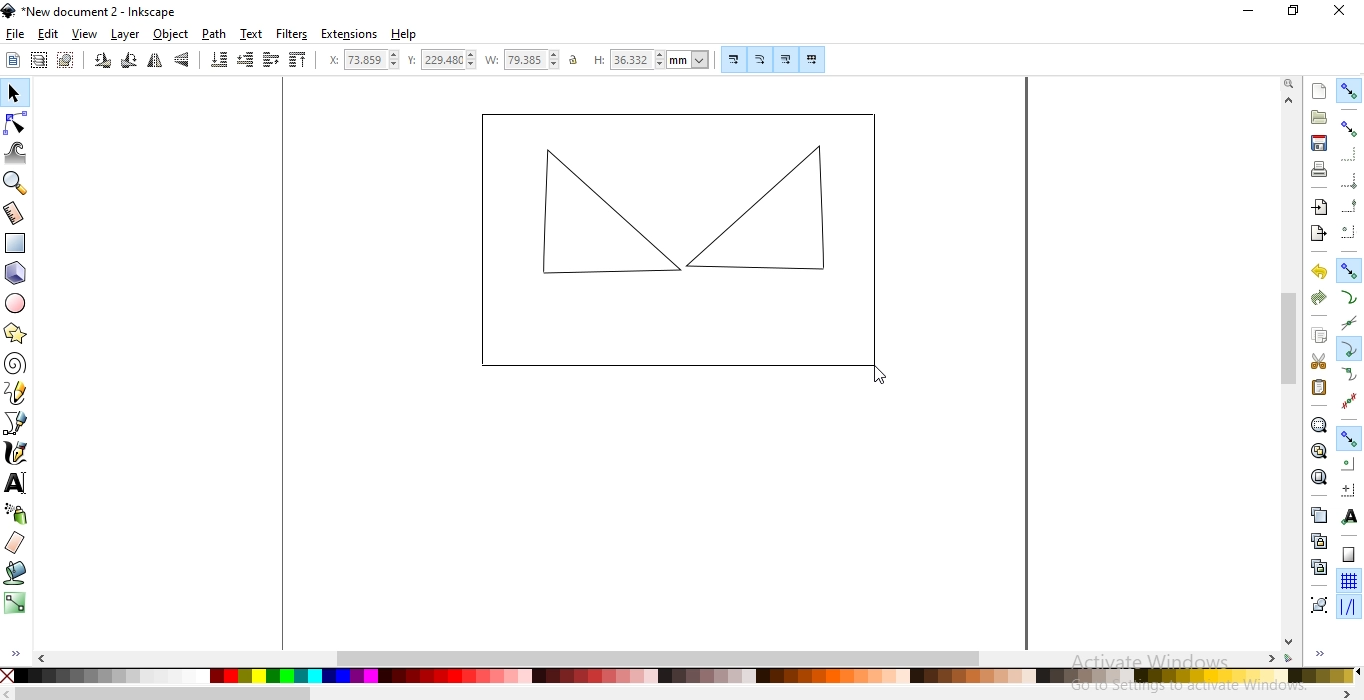  I want to click on snap cusp nodes incl. rectangle corners, so click(1348, 348).